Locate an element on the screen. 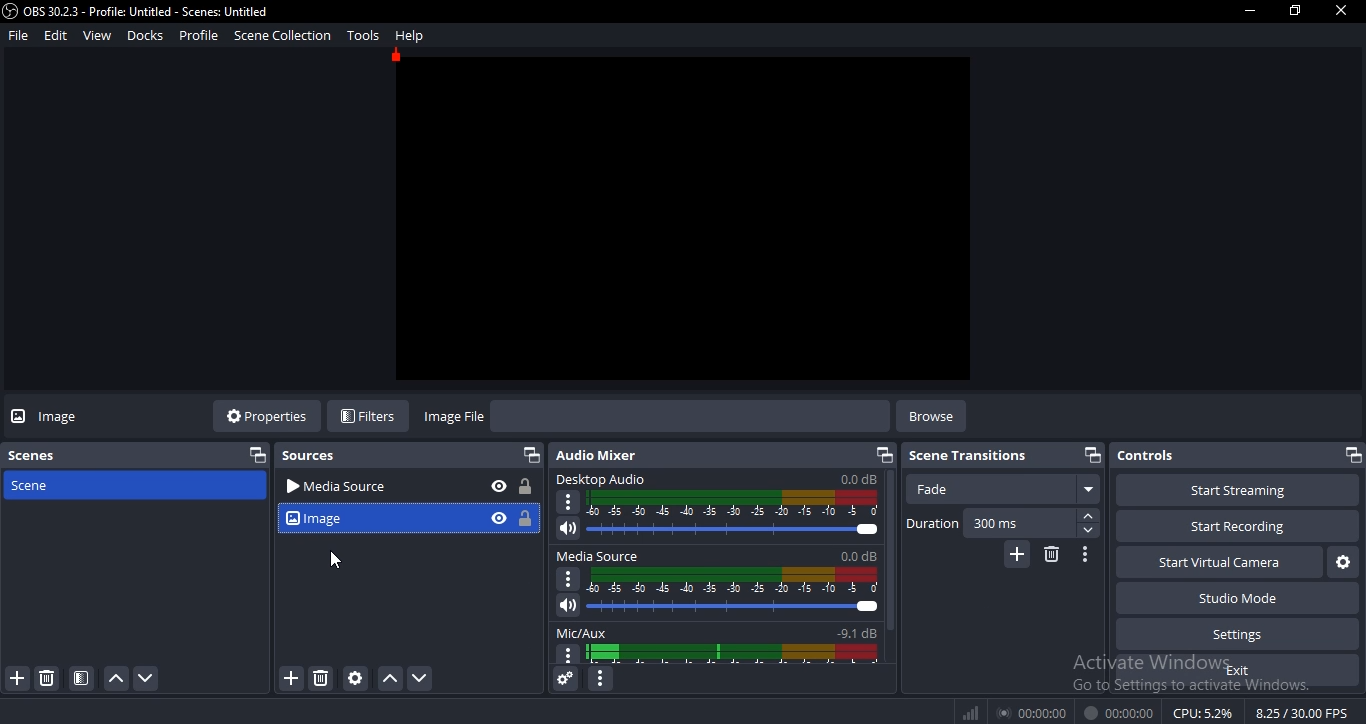 The height and width of the screenshot is (724, 1366). lock is located at coordinates (524, 517).